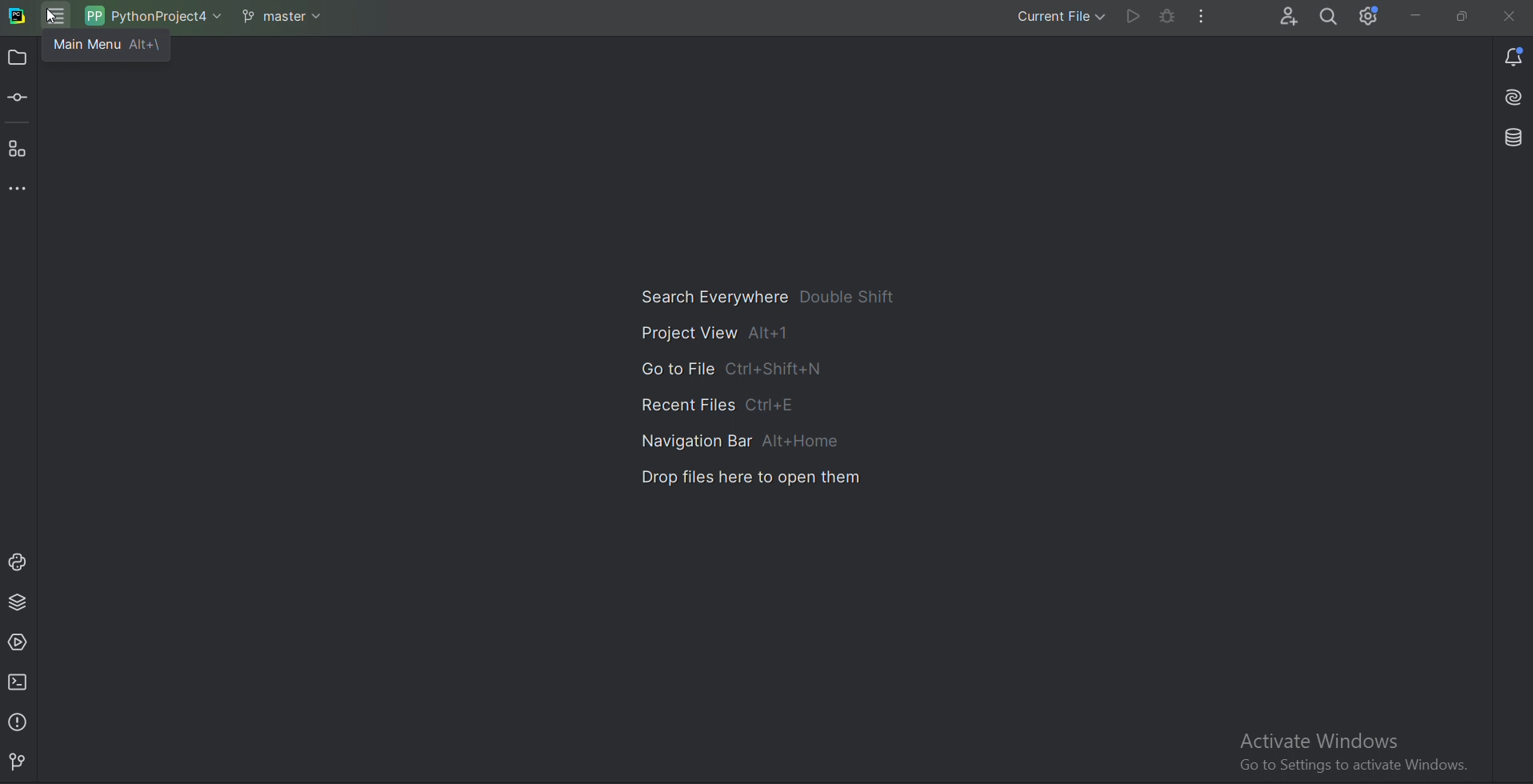 This screenshot has height=784, width=1533. What do you see at coordinates (738, 370) in the screenshot?
I see `Go to File Ctrl+Shift+N` at bounding box center [738, 370].